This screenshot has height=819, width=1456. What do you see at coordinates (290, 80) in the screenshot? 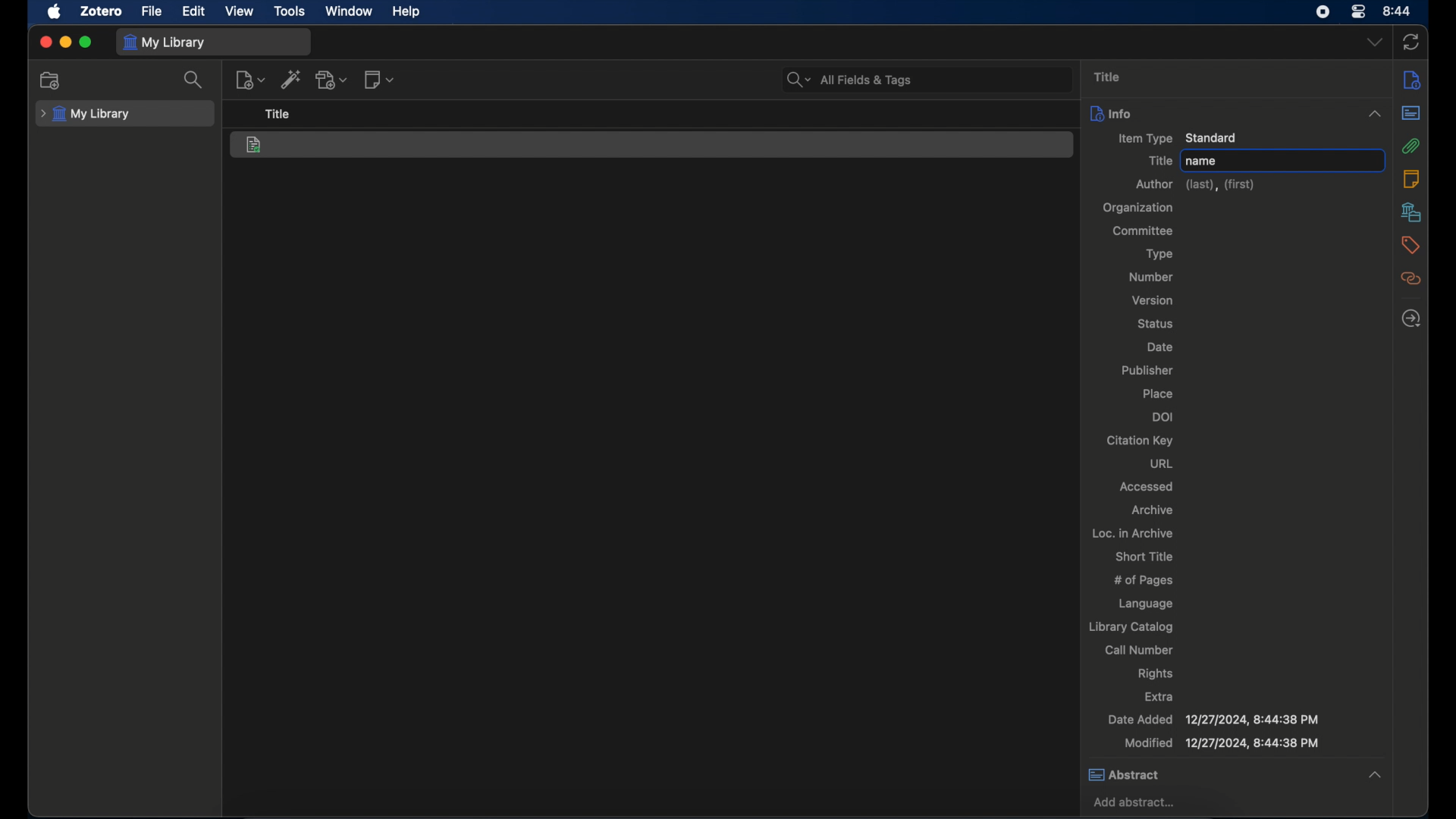
I see `add item by identifier` at bounding box center [290, 80].